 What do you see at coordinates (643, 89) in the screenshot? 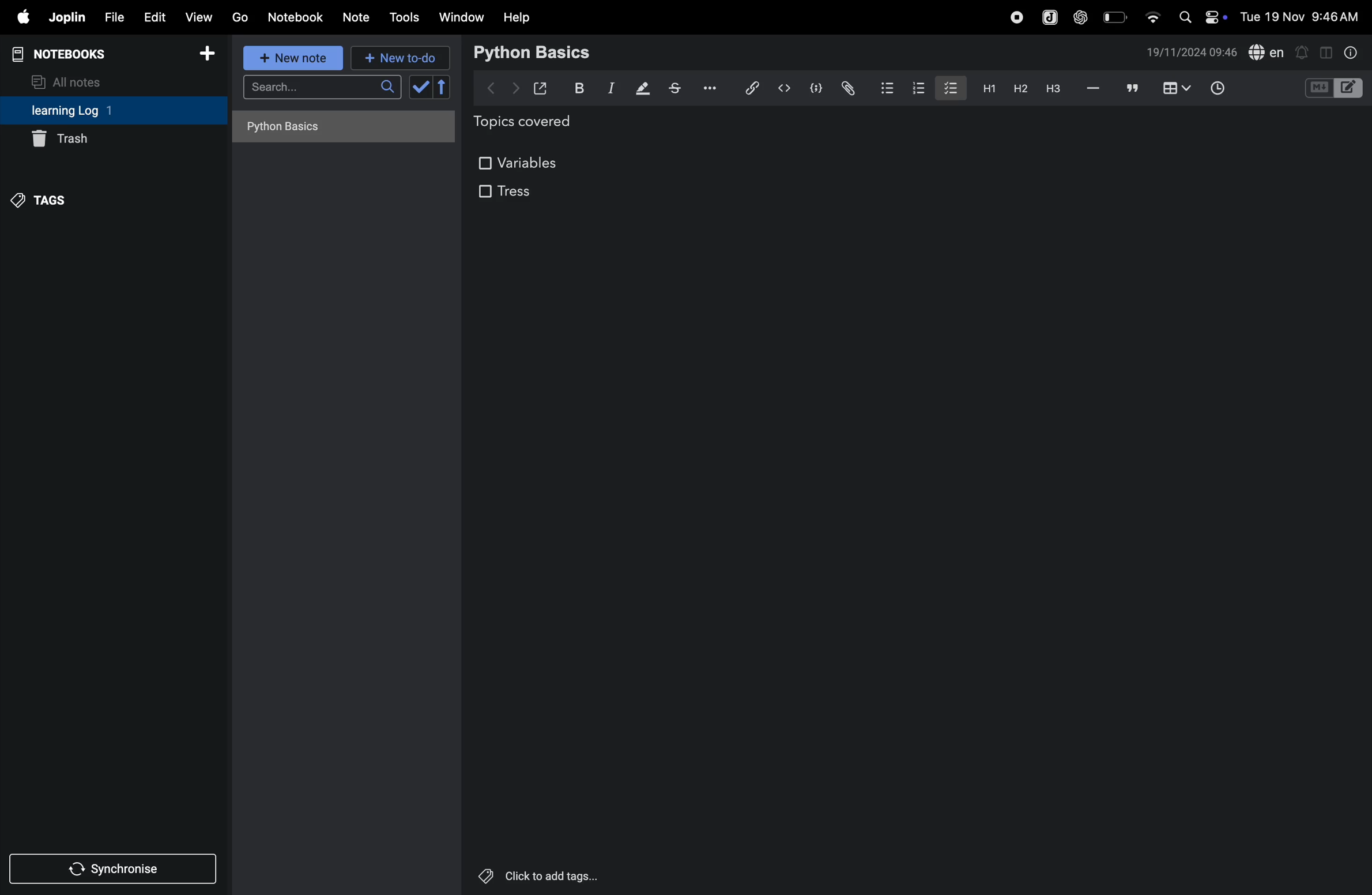
I see `displaying` at bounding box center [643, 89].